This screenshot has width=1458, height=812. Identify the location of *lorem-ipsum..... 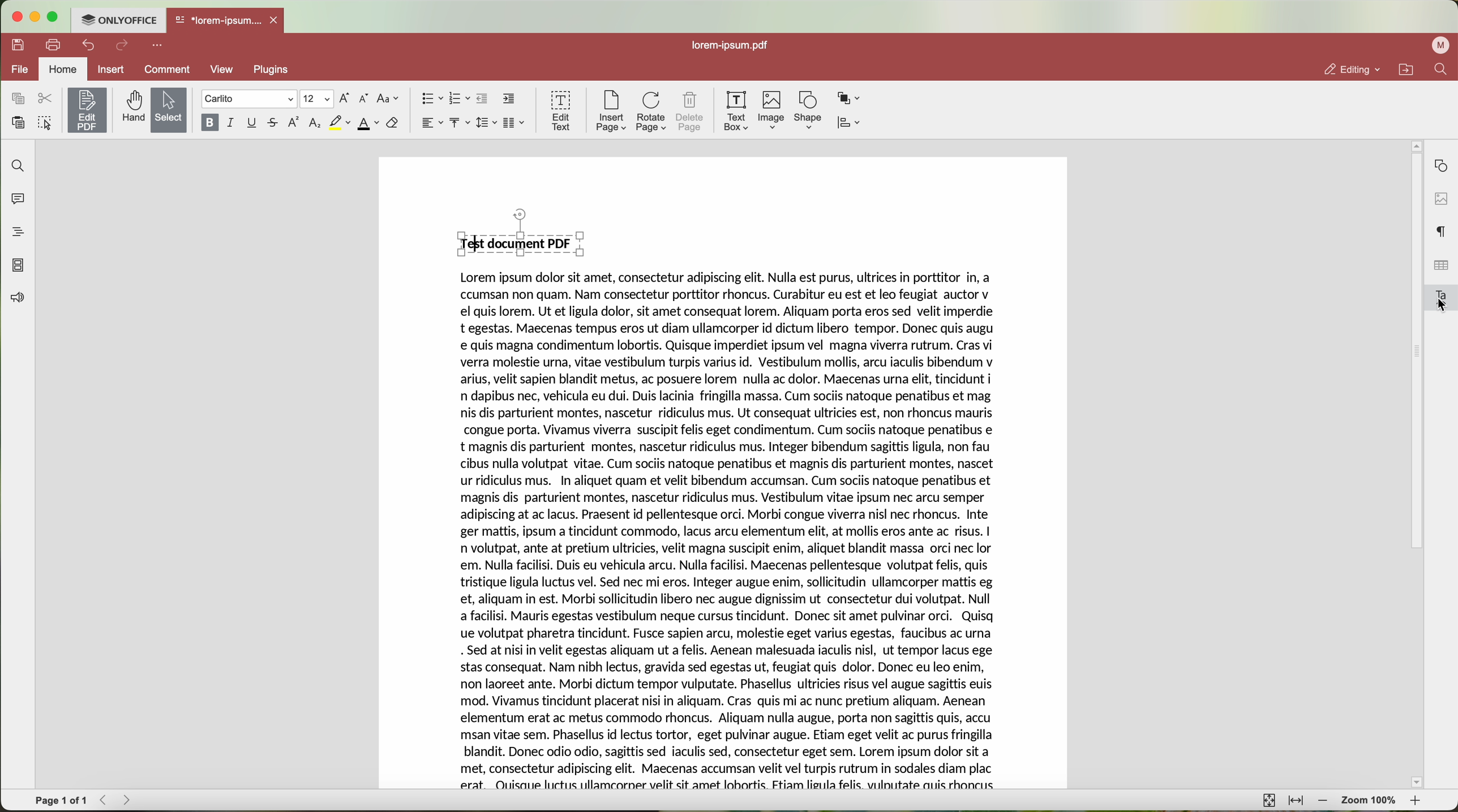
(218, 19).